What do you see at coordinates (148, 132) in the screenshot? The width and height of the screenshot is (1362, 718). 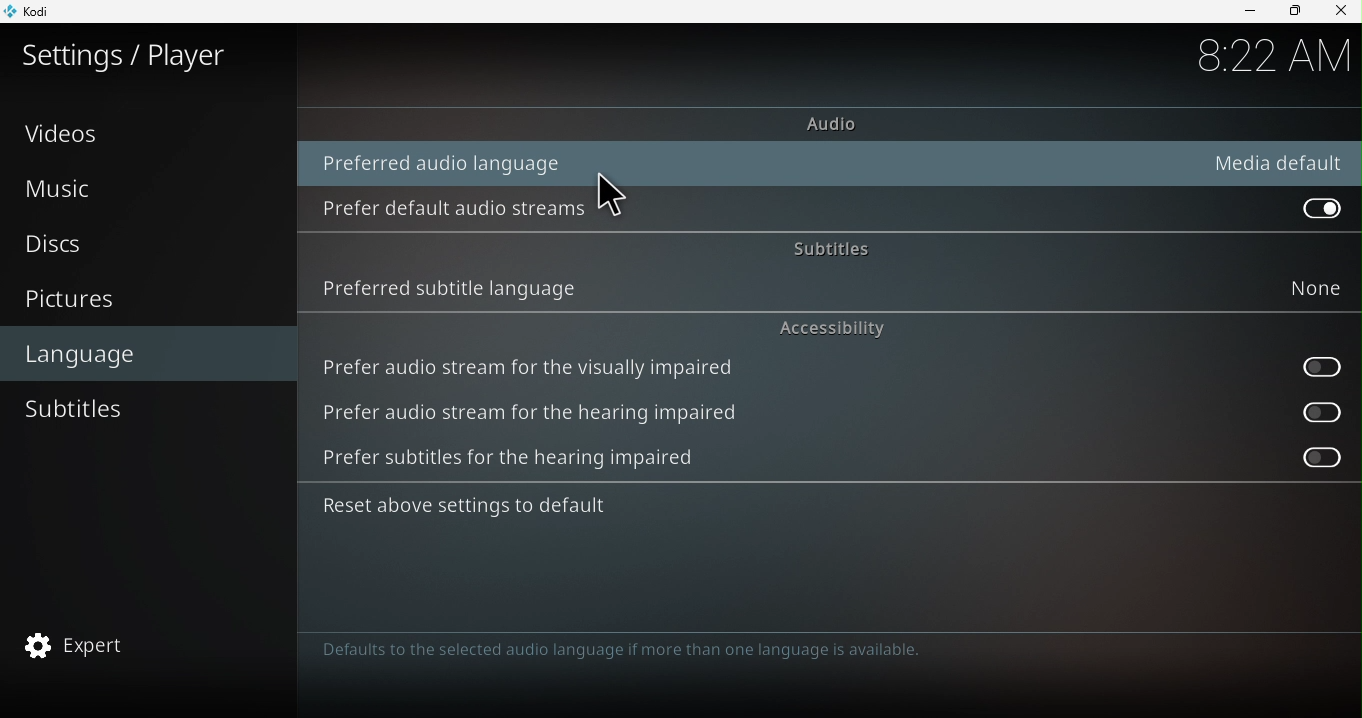 I see `Videos` at bounding box center [148, 132].